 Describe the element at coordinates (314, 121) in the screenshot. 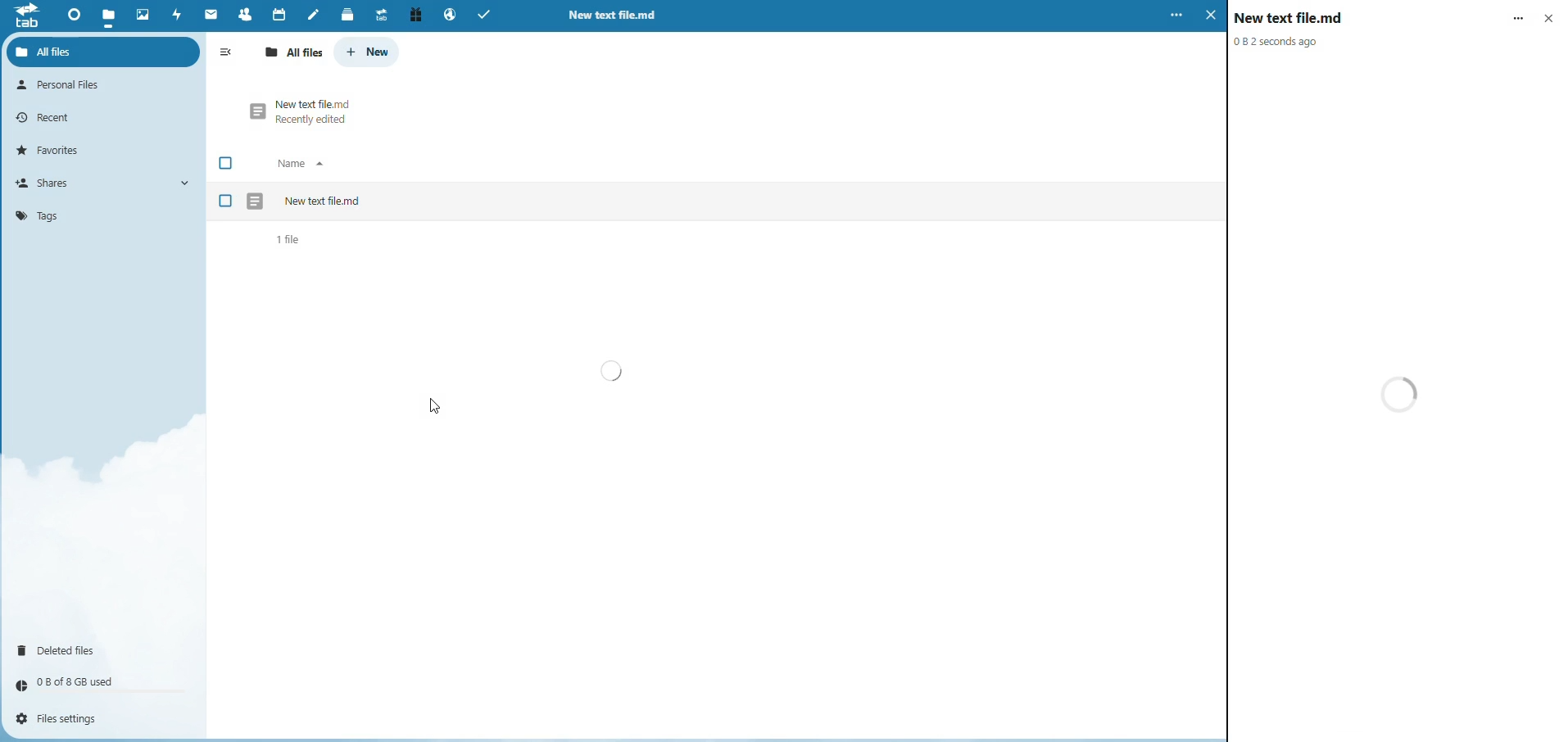

I see `Recently Added` at that location.